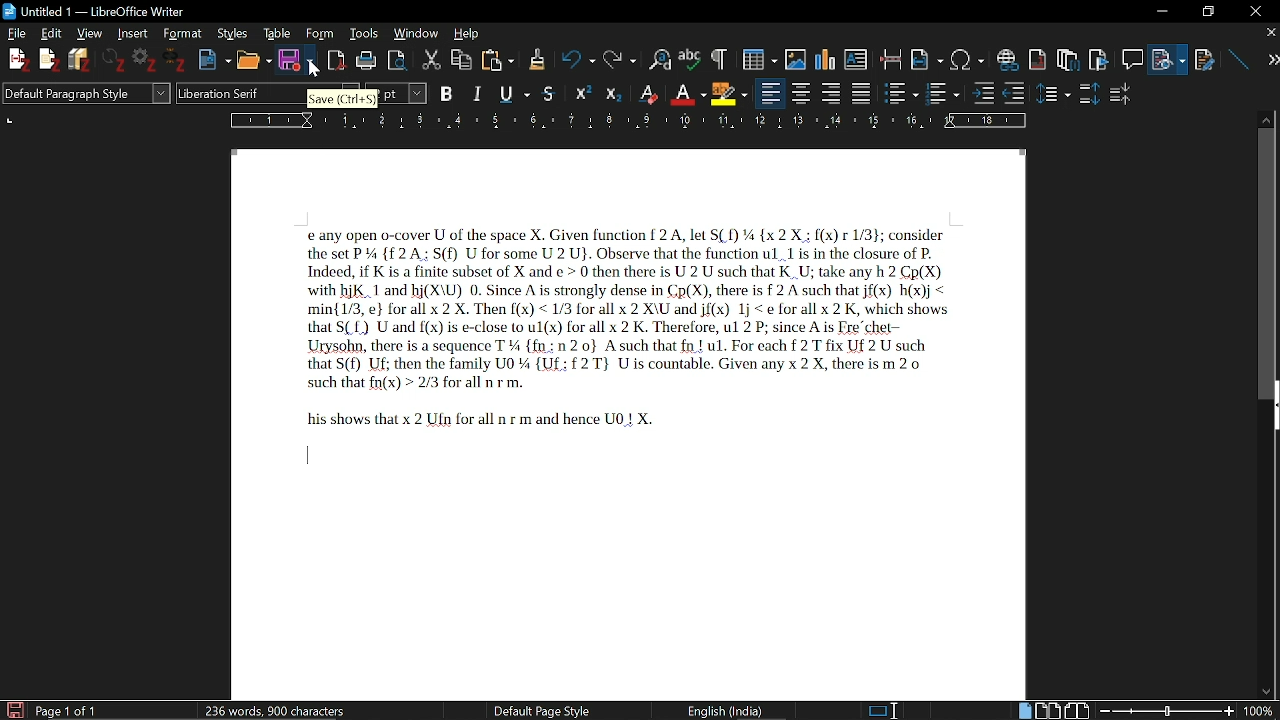  What do you see at coordinates (858, 55) in the screenshot?
I see `Insert text` at bounding box center [858, 55].